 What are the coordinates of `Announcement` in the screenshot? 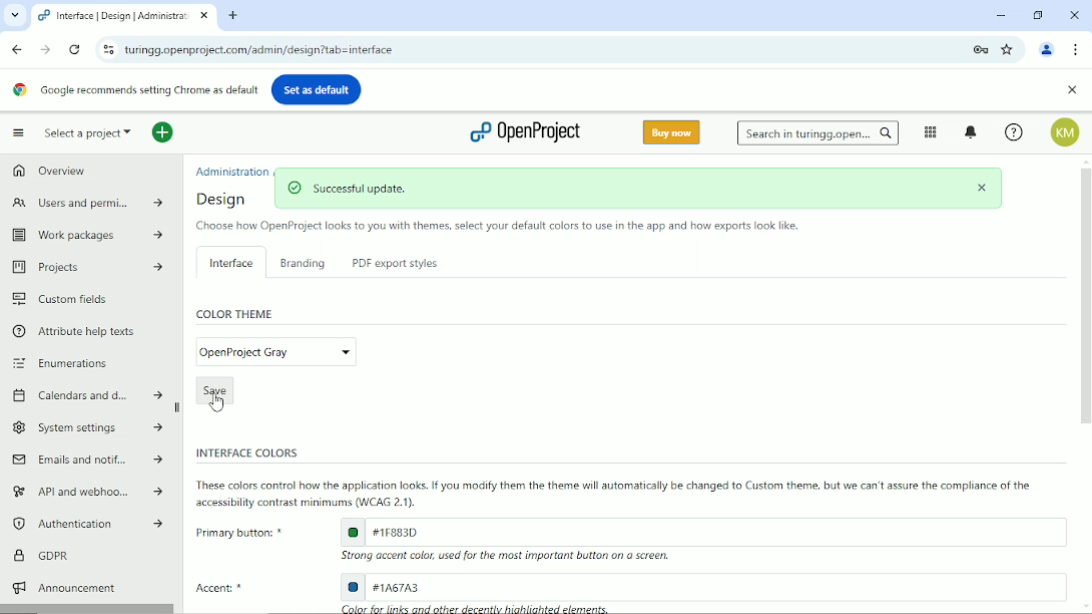 It's located at (63, 587).